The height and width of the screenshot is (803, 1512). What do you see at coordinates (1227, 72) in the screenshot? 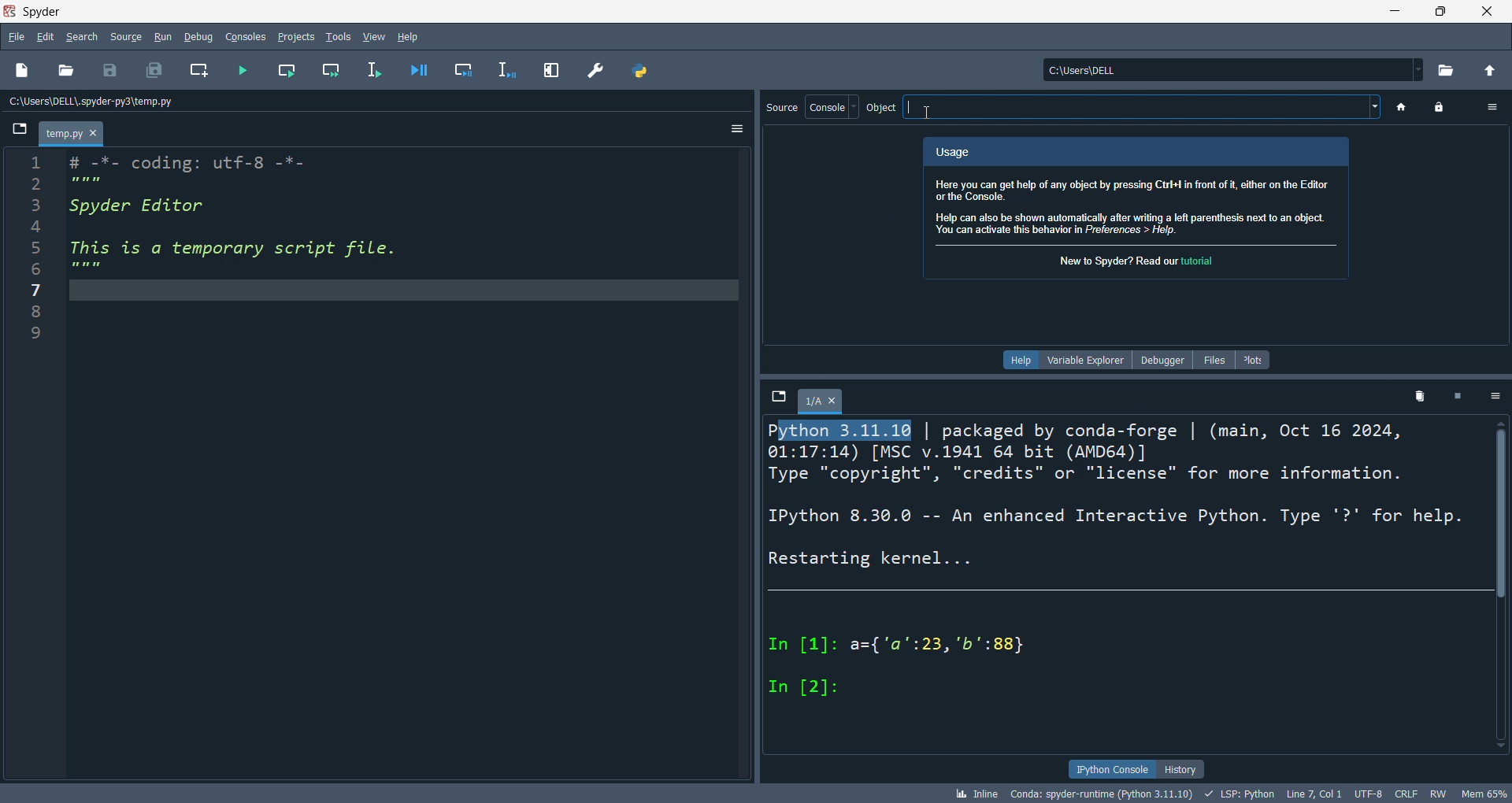
I see `current directory: c:\users\dell` at bounding box center [1227, 72].